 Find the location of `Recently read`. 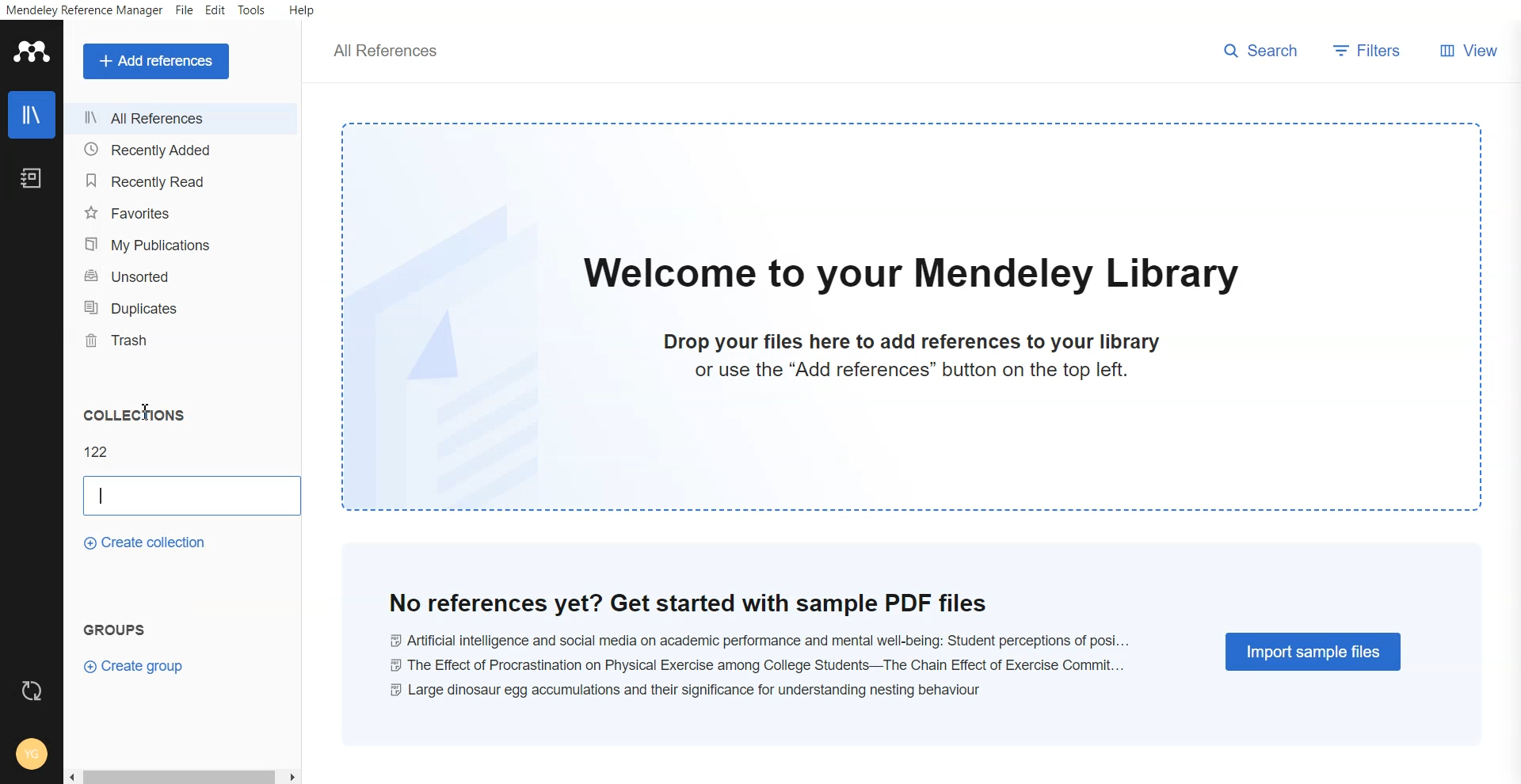

Recently read is located at coordinates (183, 179).